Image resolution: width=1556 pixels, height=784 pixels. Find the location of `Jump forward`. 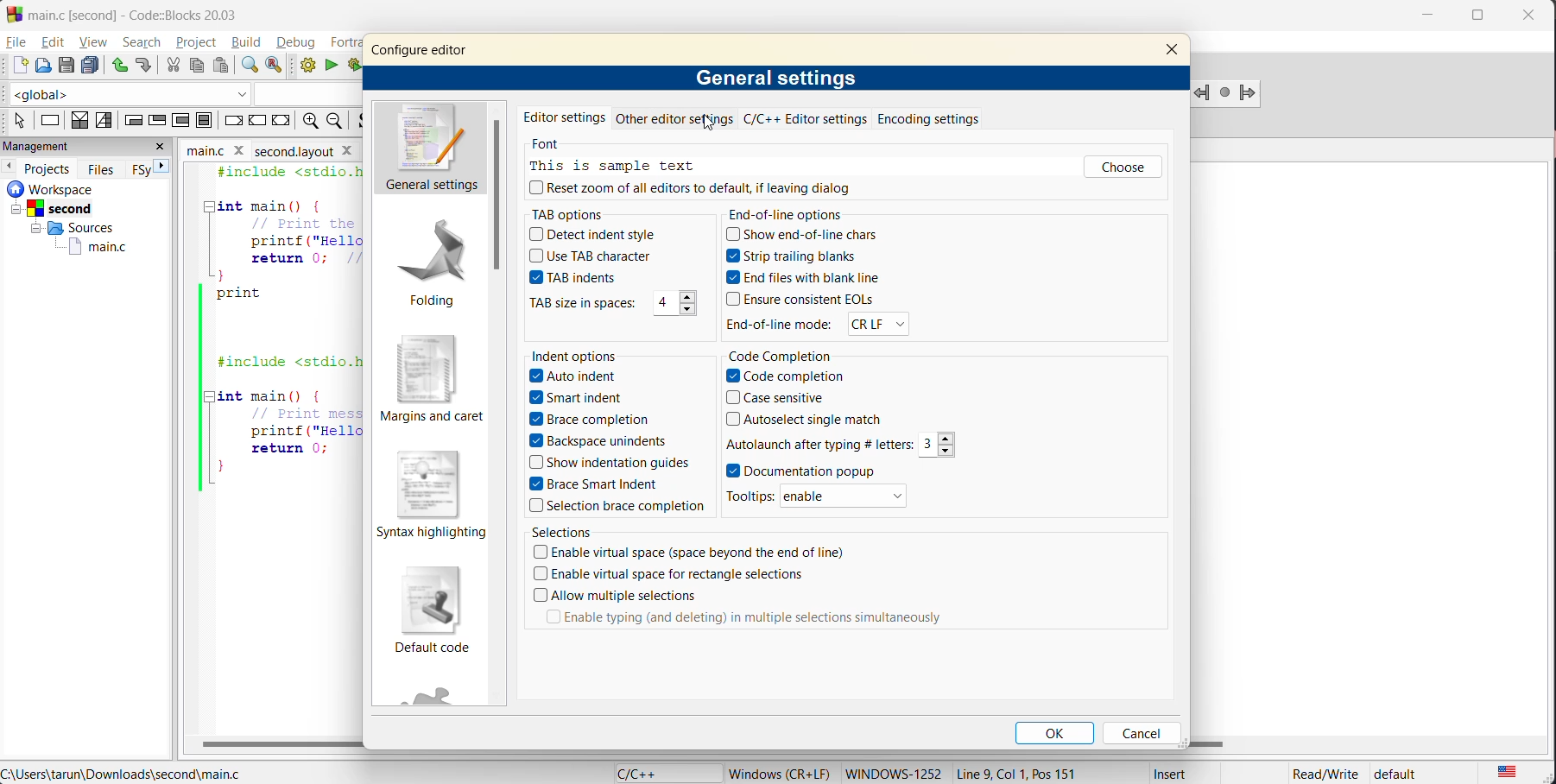

Jump forward is located at coordinates (1249, 91).